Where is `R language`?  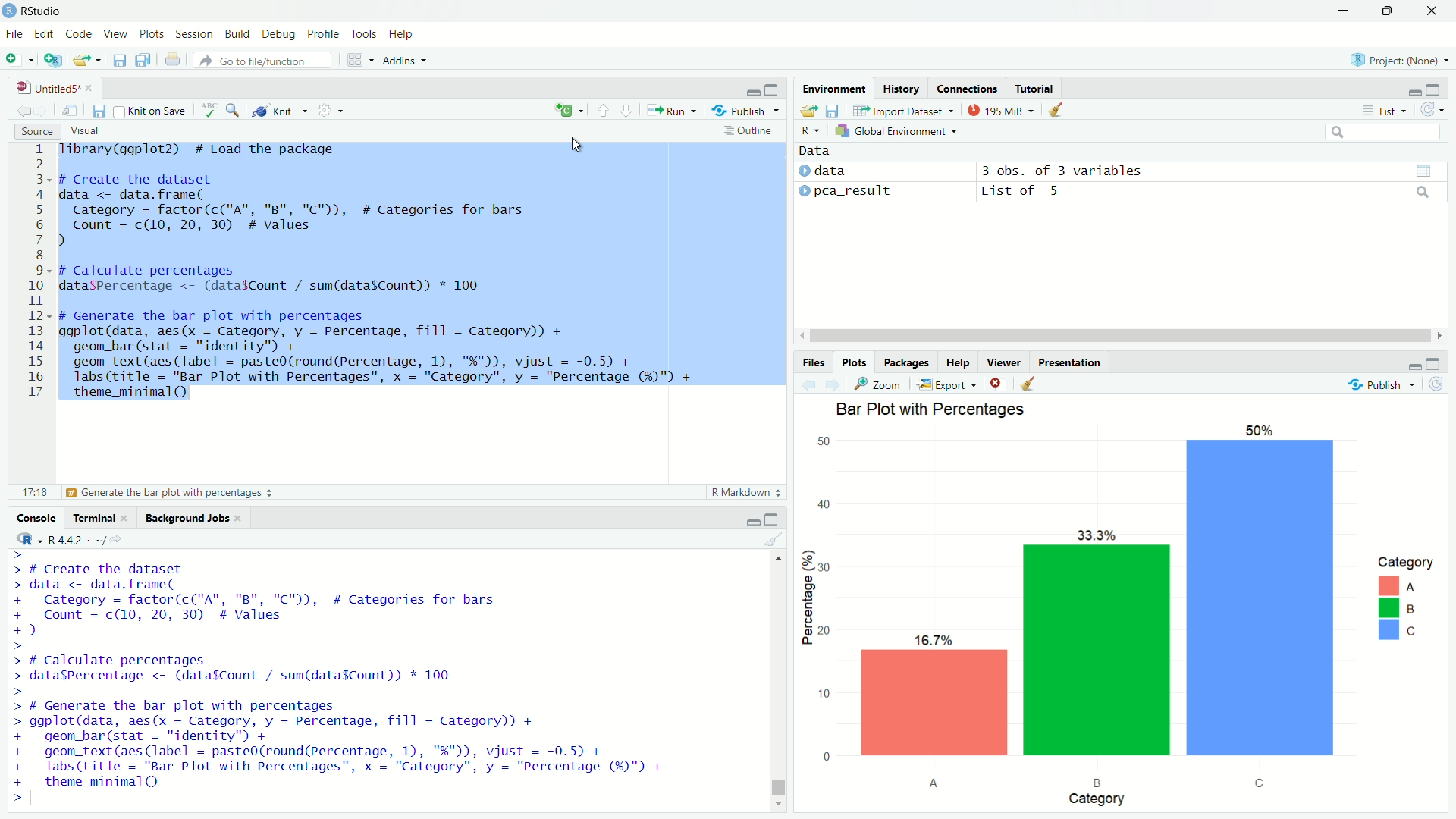
R language is located at coordinates (810, 130).